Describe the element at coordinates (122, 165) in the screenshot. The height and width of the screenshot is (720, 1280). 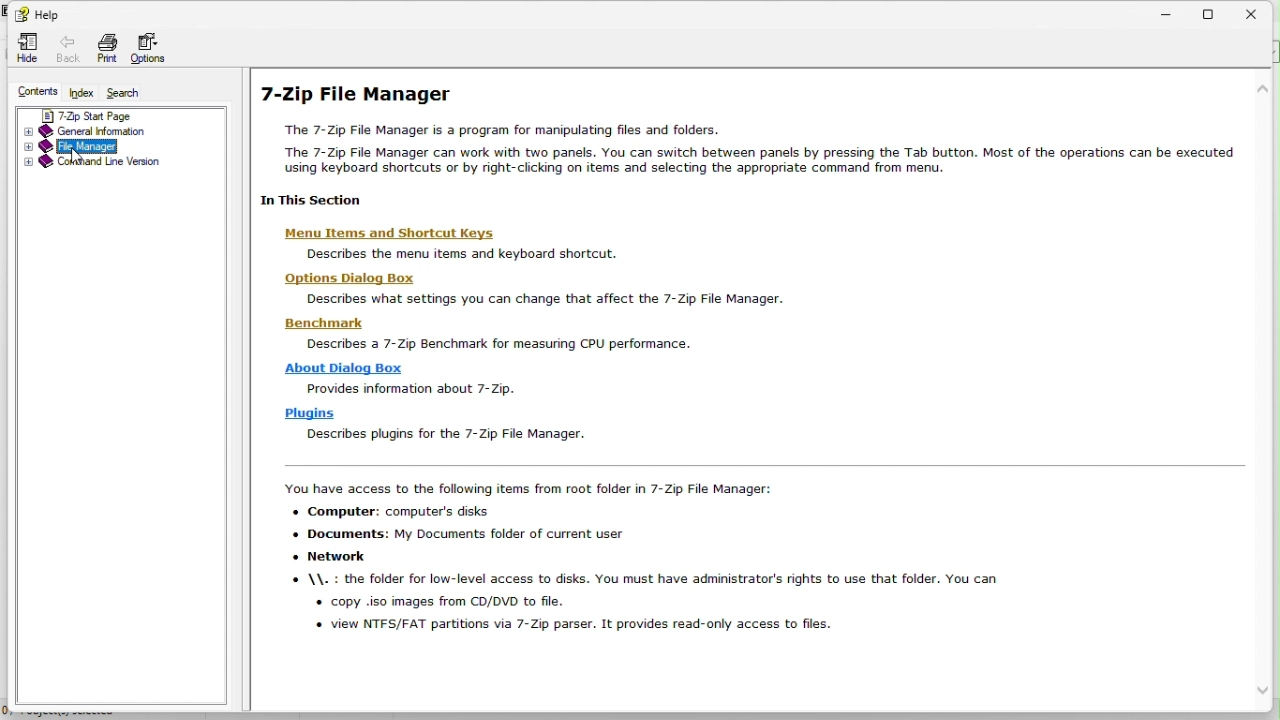
I see `Command line version` at that location.